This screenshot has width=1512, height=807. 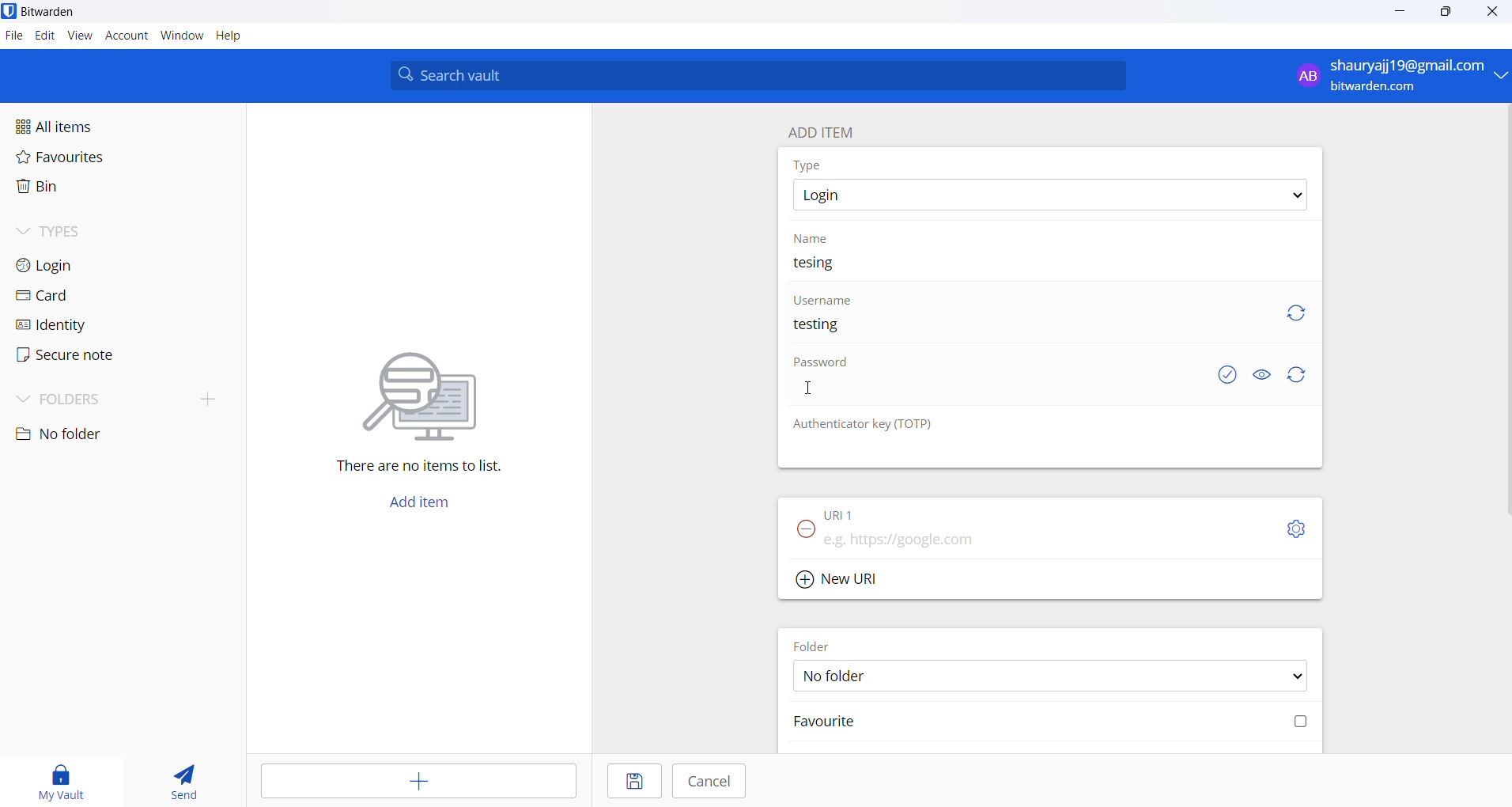 What do you see at coordinates (1296, 311) in the screenshot?
I see ` generate username` at bounding box center [1296, 311].